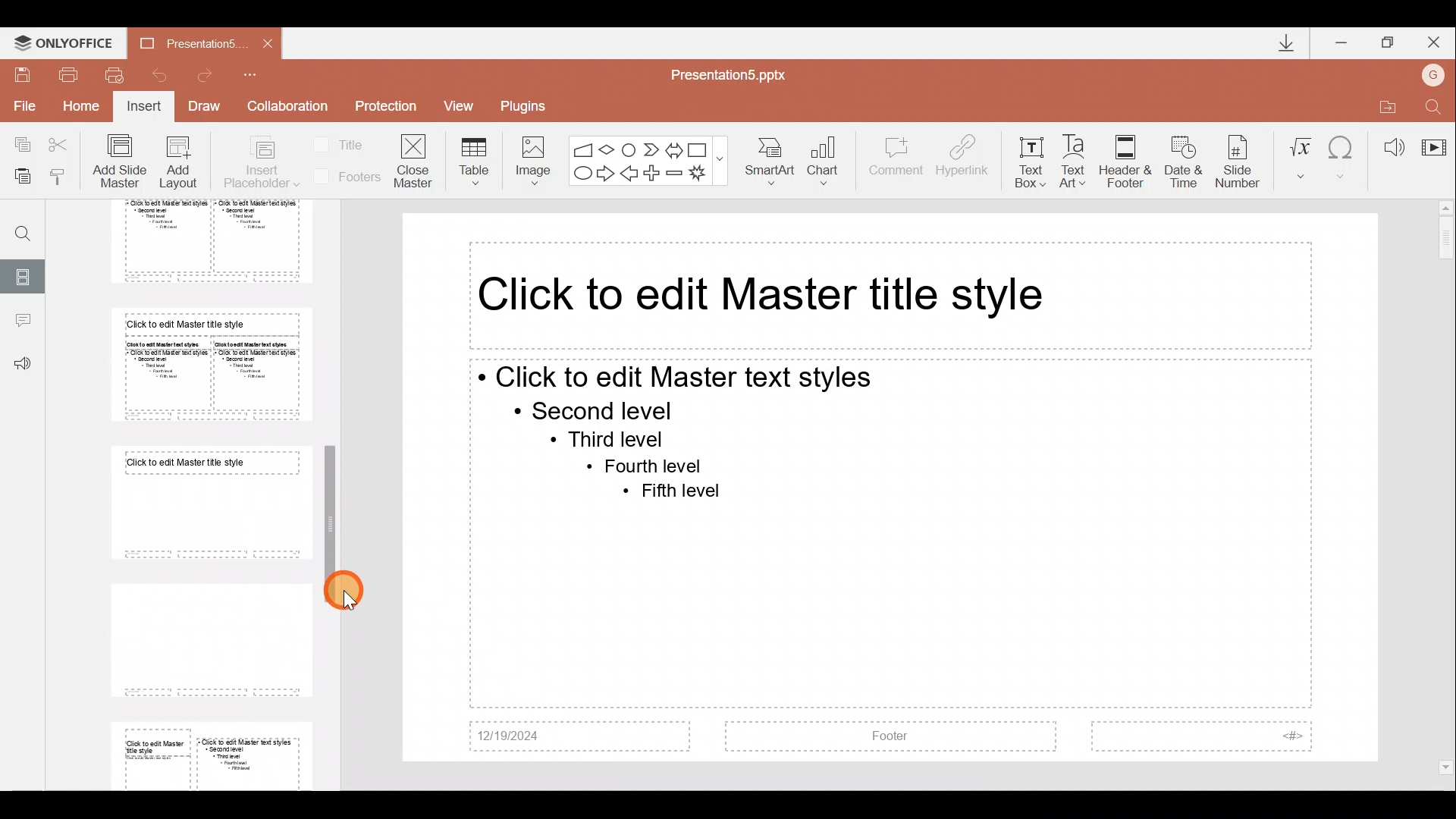  Describe the element at coordinates (345, 177) in the screenshot. I see `Footers` at that location.